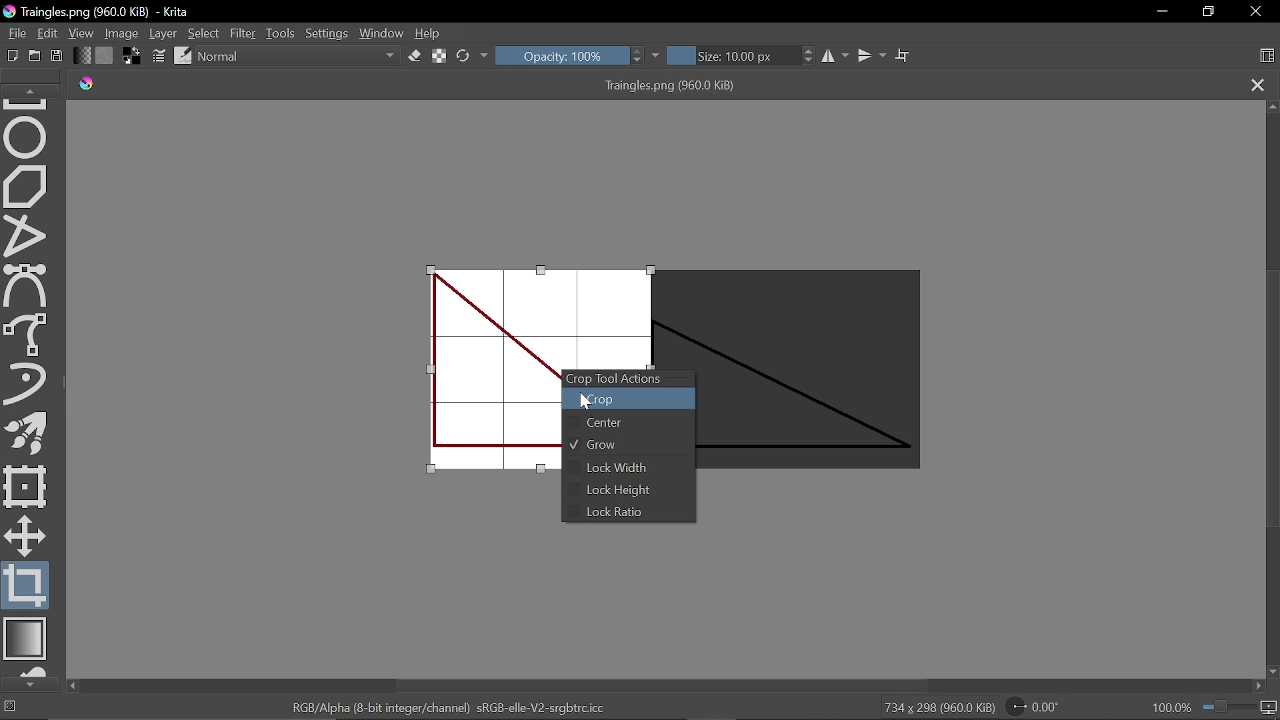 The image size is (1280, 720). Describe the element at coordinates (242, 33) in the screenshot. I see `Filter` at that location.